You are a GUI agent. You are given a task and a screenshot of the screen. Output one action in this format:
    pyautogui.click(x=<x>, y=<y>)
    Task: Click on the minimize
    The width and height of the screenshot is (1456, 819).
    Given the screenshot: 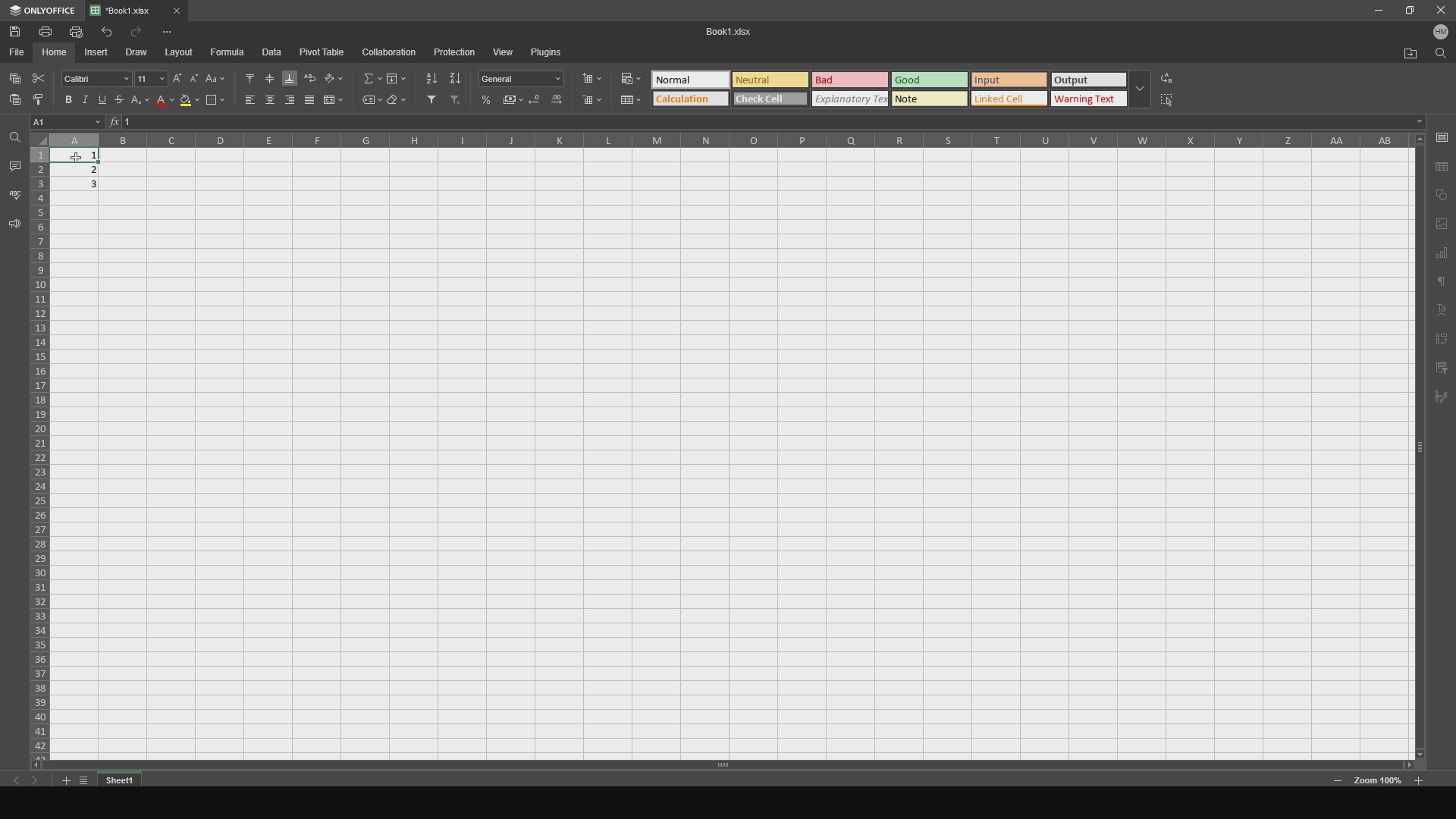 What is the action you would take?
    pyautogui.click(x=1377, y=12)
    